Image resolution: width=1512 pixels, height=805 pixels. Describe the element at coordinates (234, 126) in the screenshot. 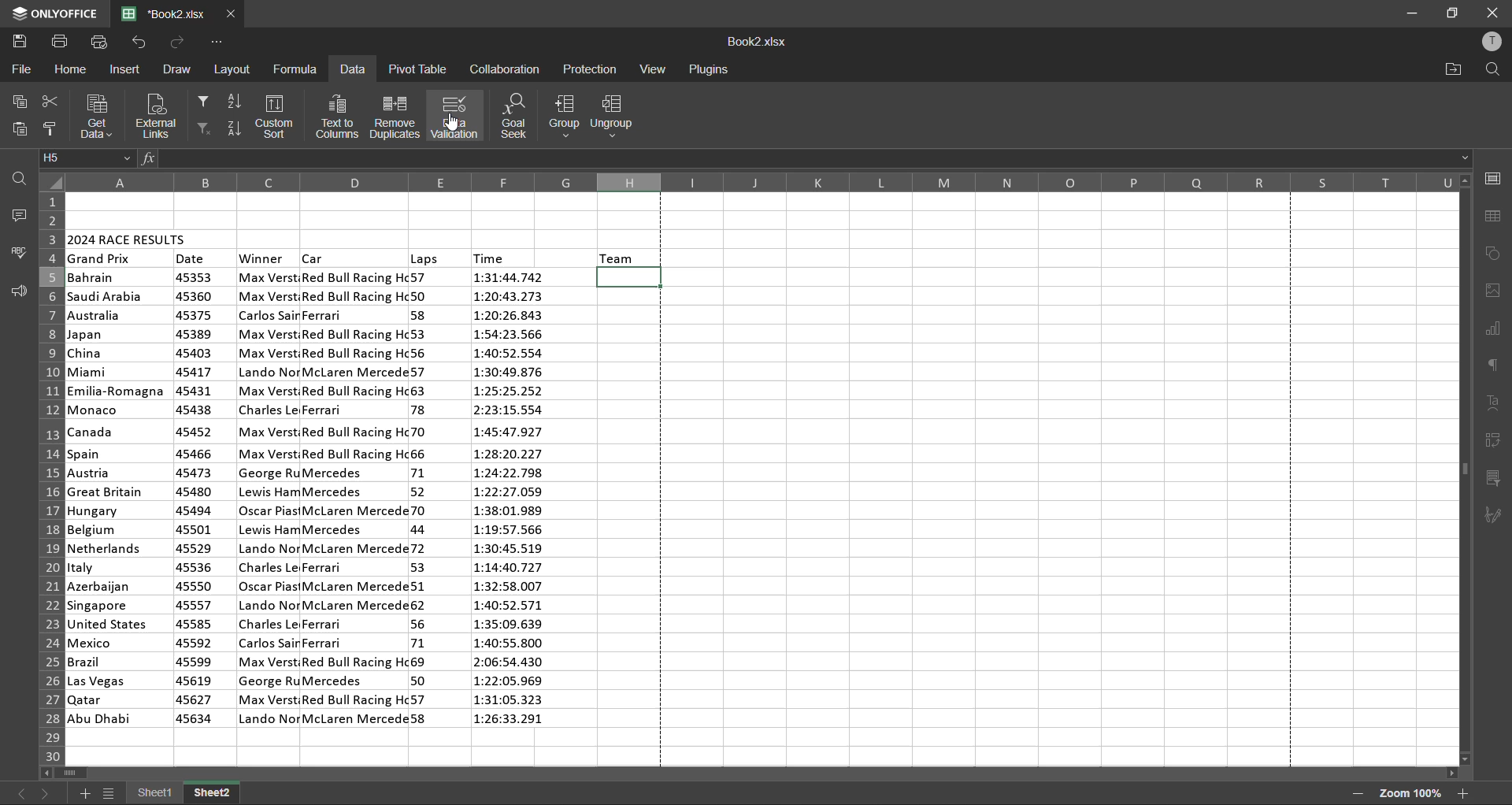

I see `sort descending` at that location.